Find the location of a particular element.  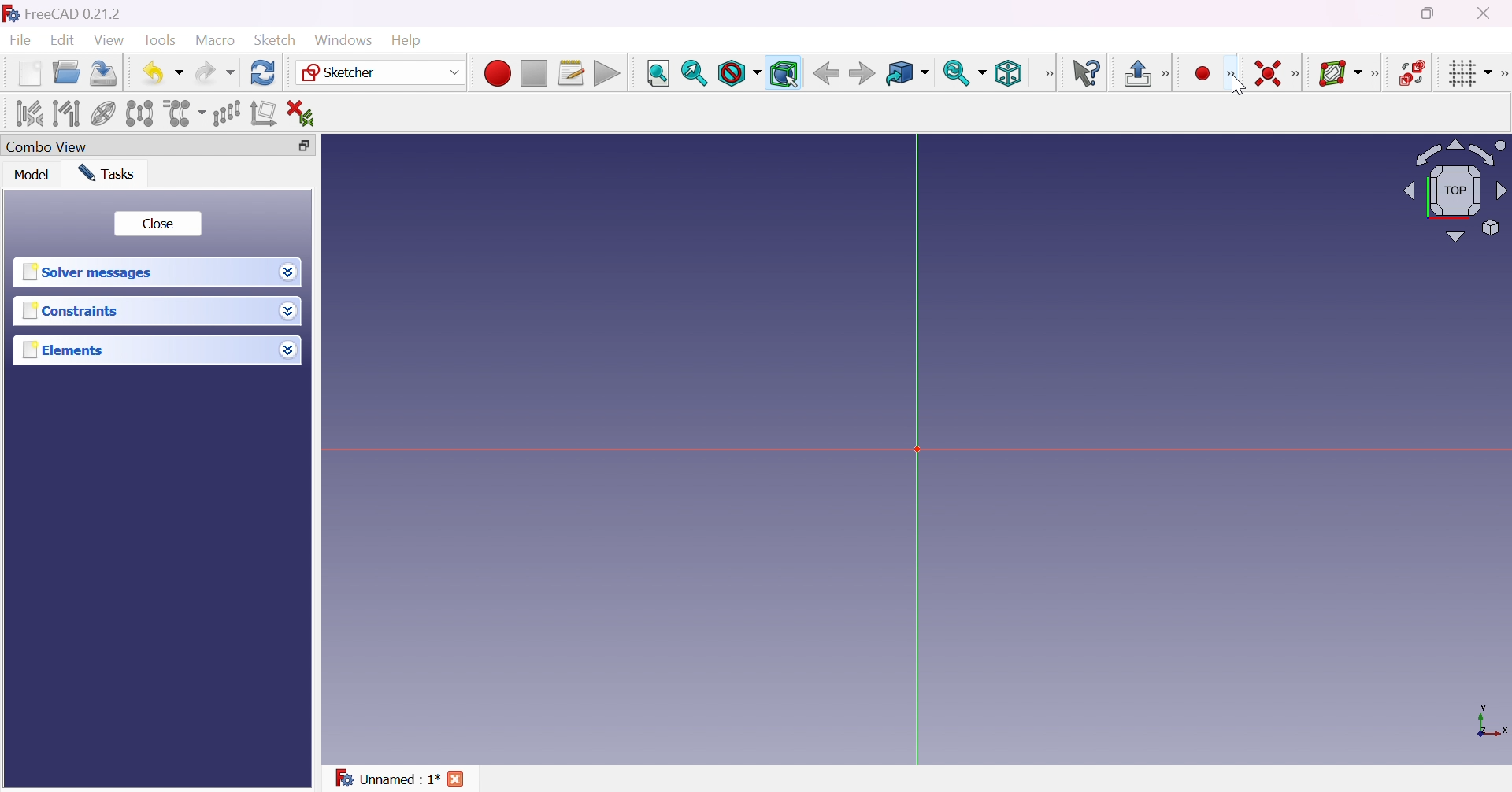

Open is located at coordinates (66, 72).